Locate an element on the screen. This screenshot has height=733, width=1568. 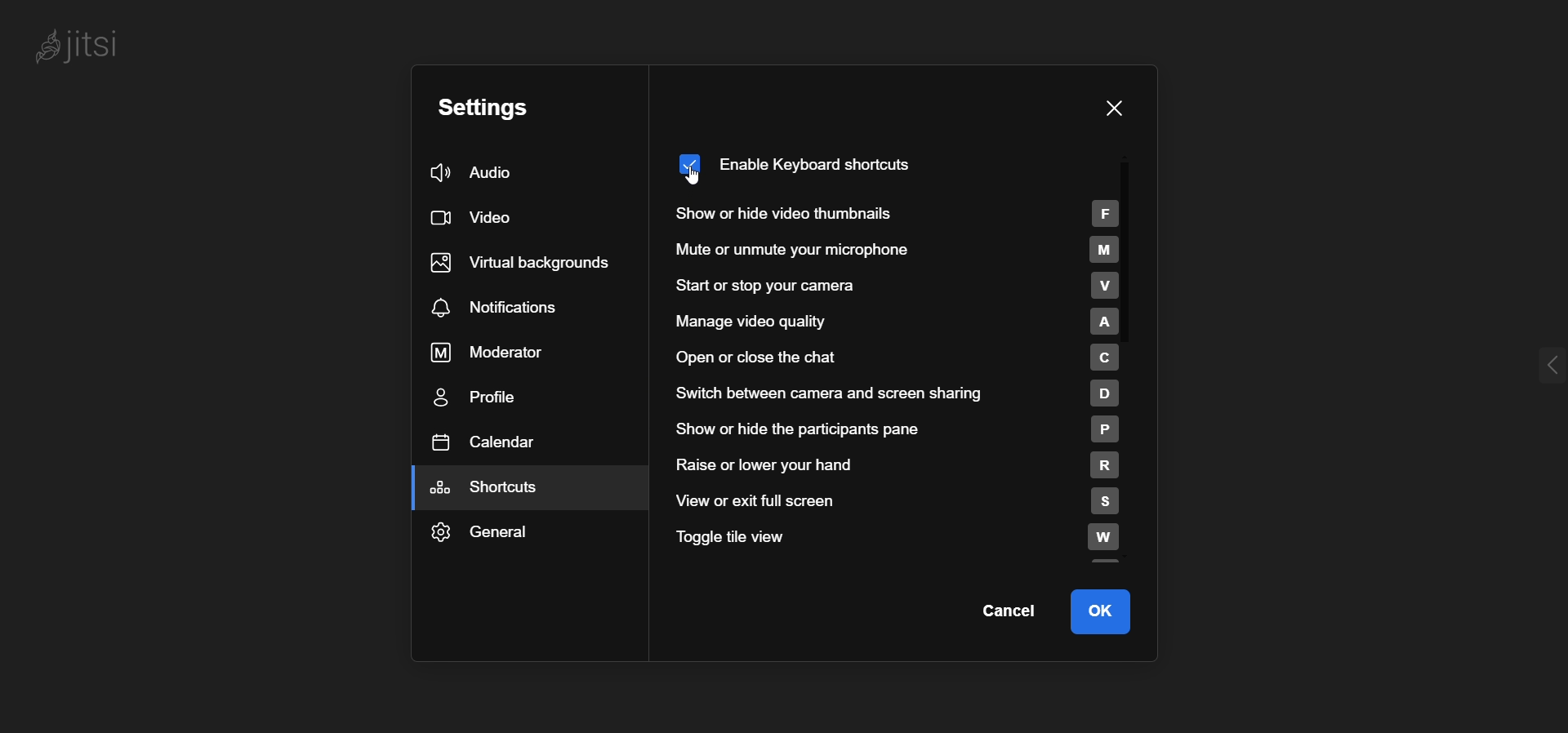
close is located at coordinates (1118, 109).